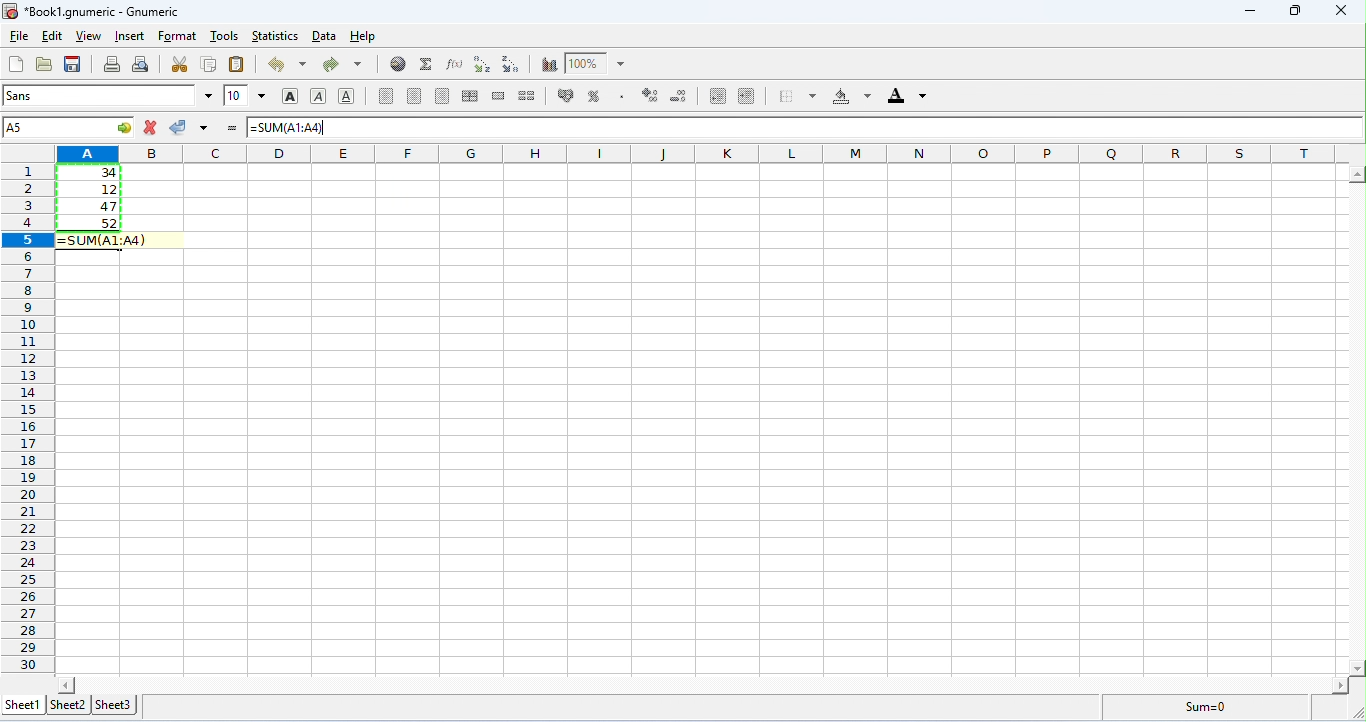 This screenshot has height=722, width=1366. Describe the element at coordinates (1346, 11) in the screenshot. I see `close` at that location.